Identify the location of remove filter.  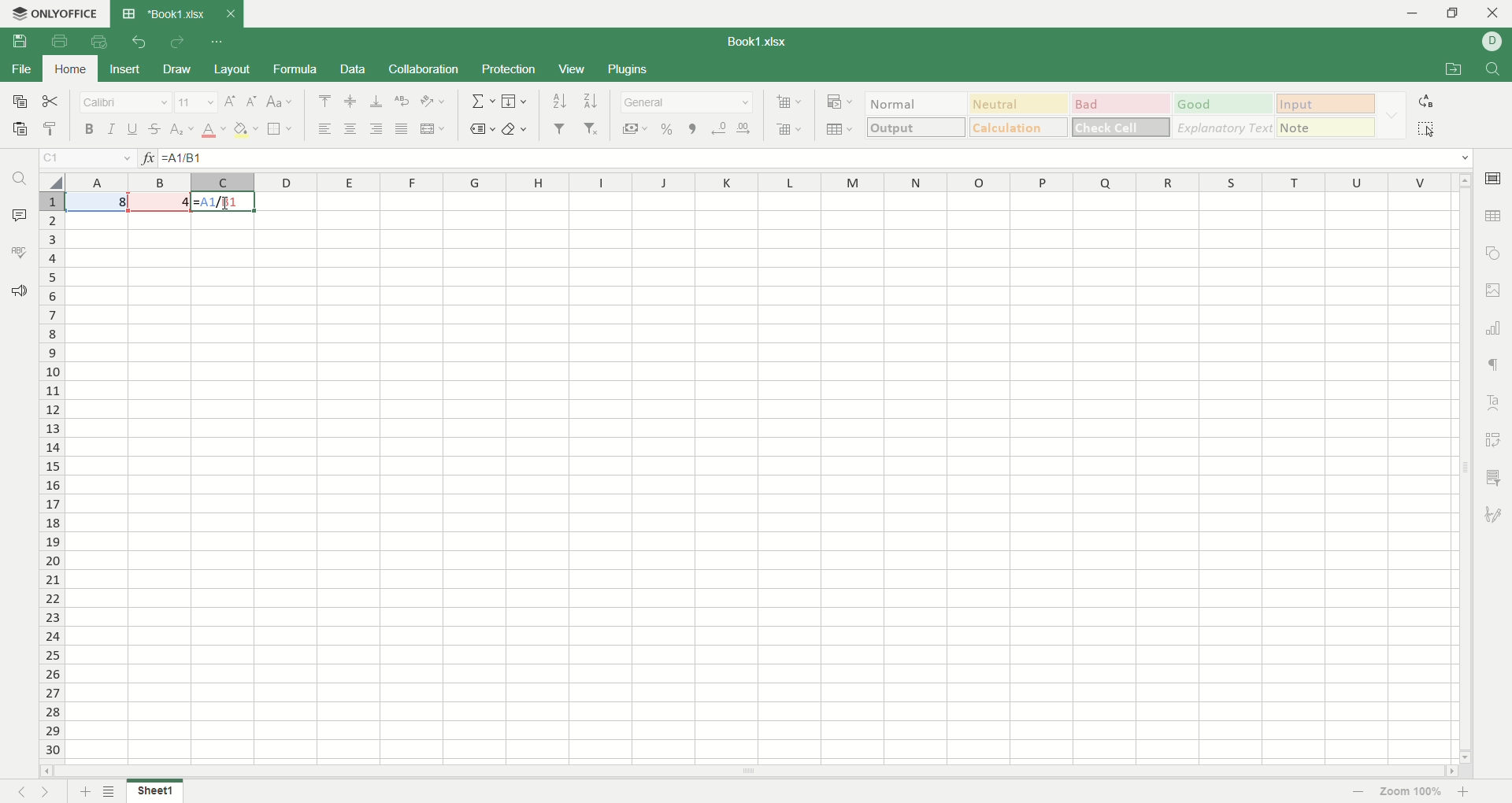
(592, 128).